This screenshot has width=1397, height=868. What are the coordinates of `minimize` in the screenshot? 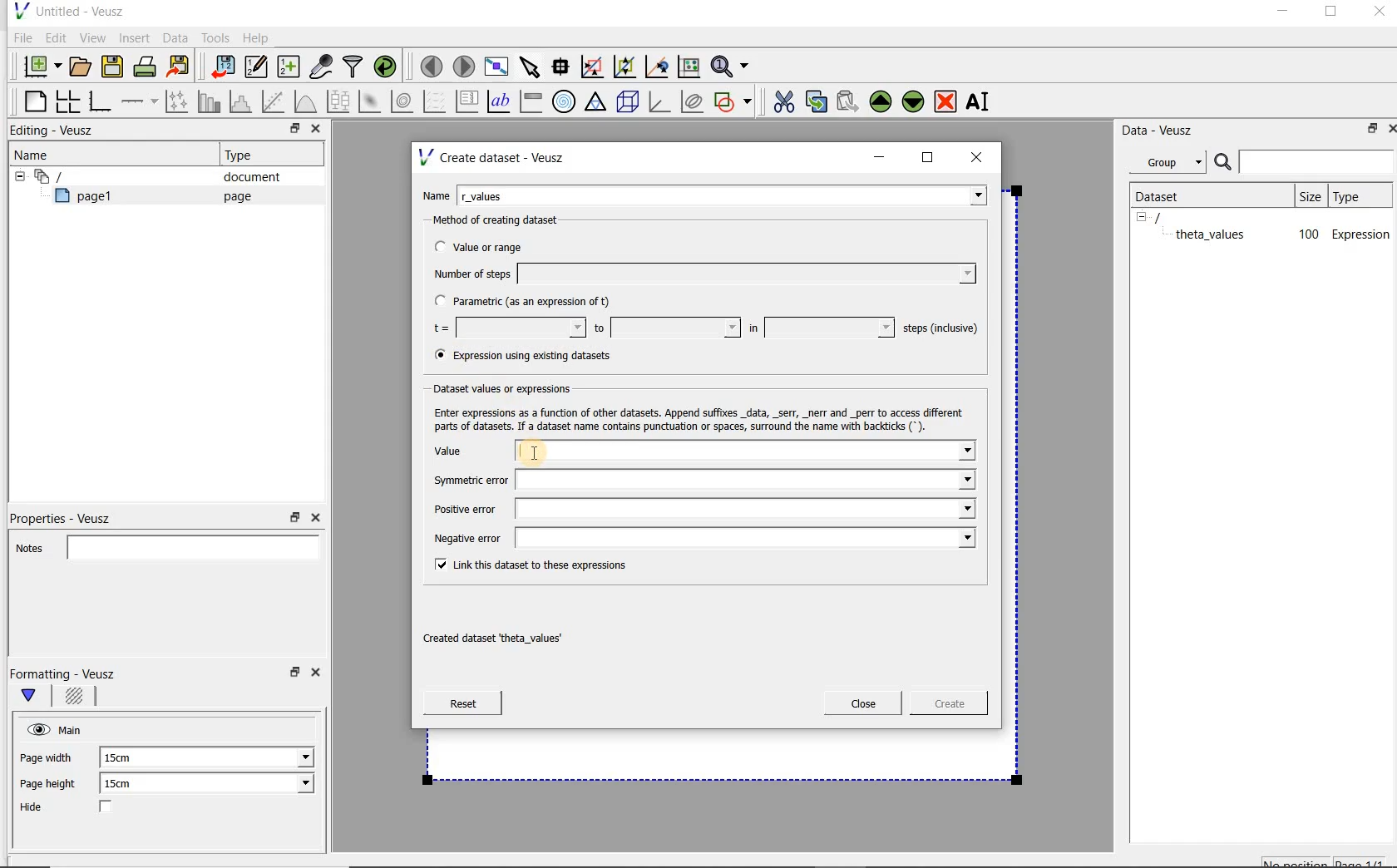 It's located at (1281, 13).